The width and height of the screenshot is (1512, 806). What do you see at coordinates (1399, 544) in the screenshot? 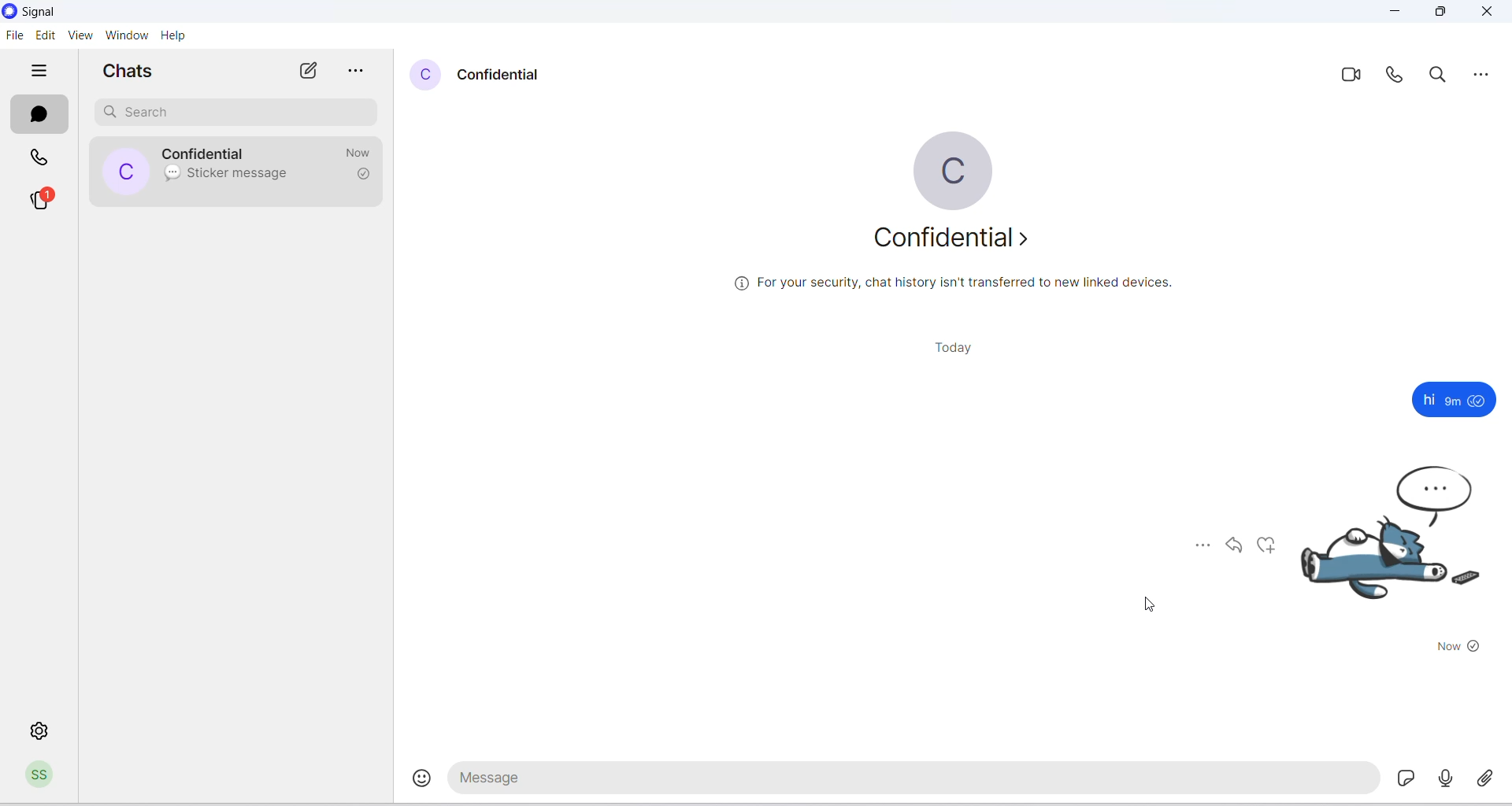
I see `cat sticker` at bounding box center [1399, 544].